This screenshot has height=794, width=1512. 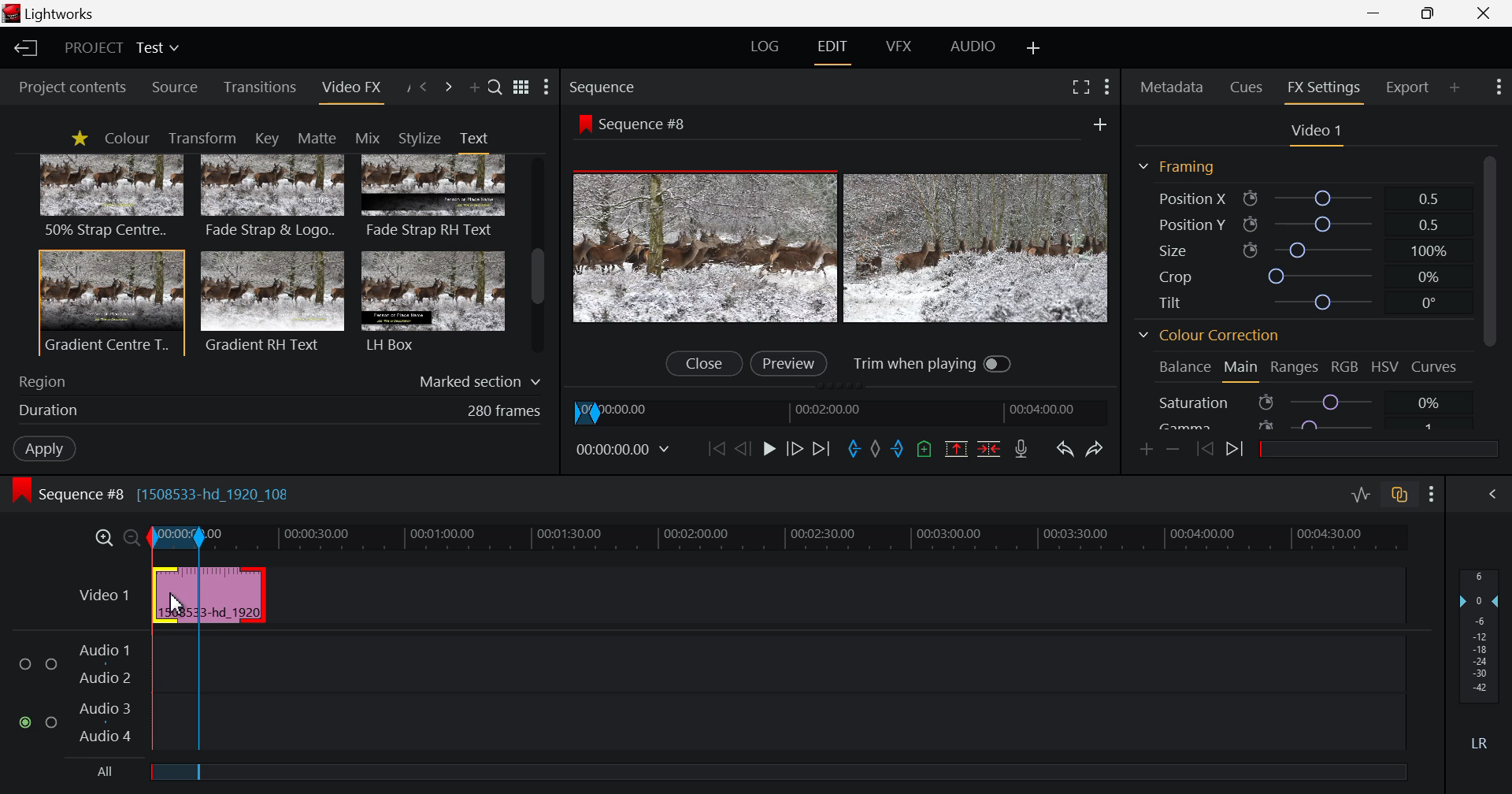 What do you see at coordinates (102, 592) in the screenshot?
I see `Video Layer` at bounding box center [102, 592].